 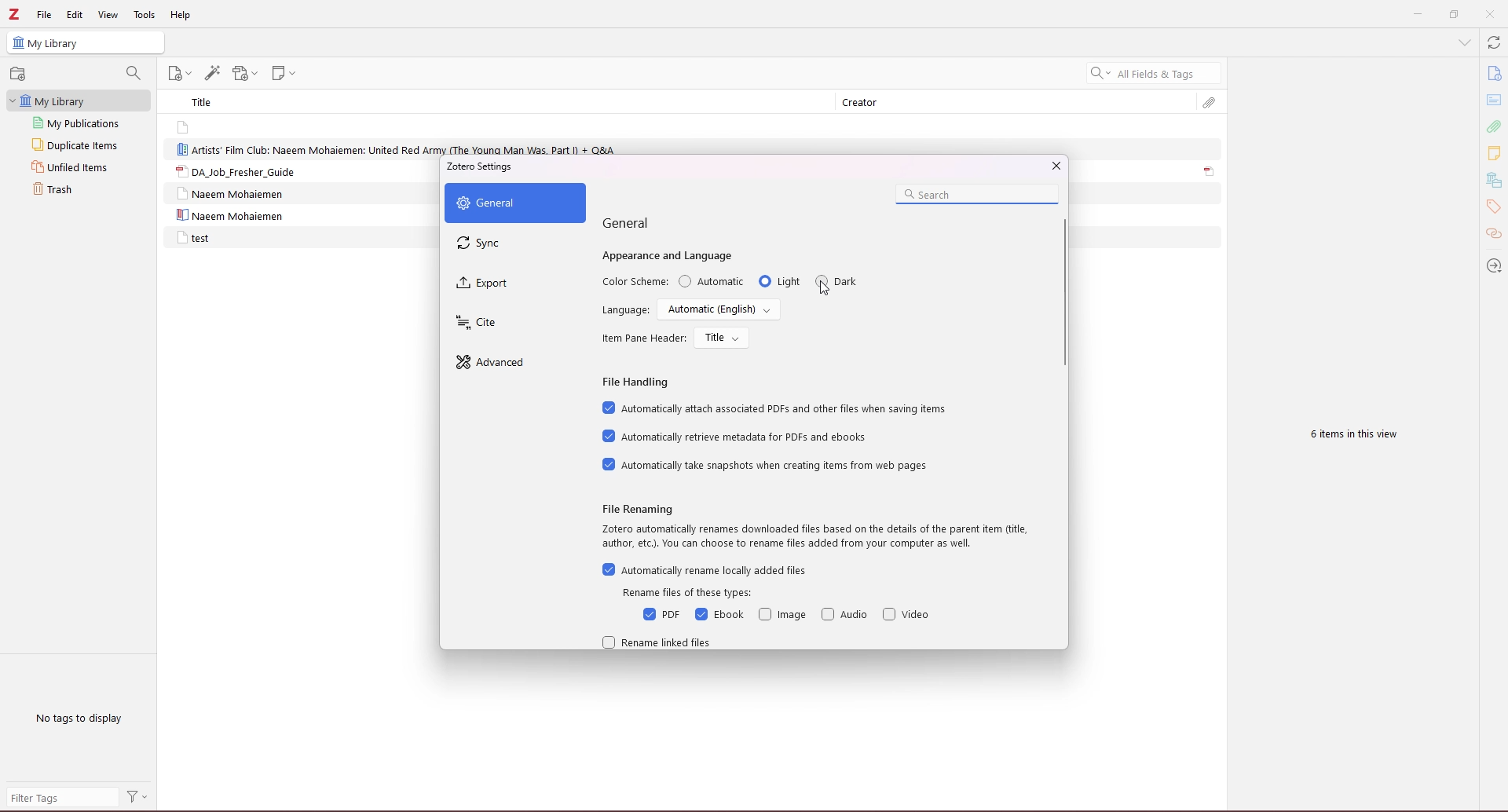 I want to click on note, so click(x=227, y=126).